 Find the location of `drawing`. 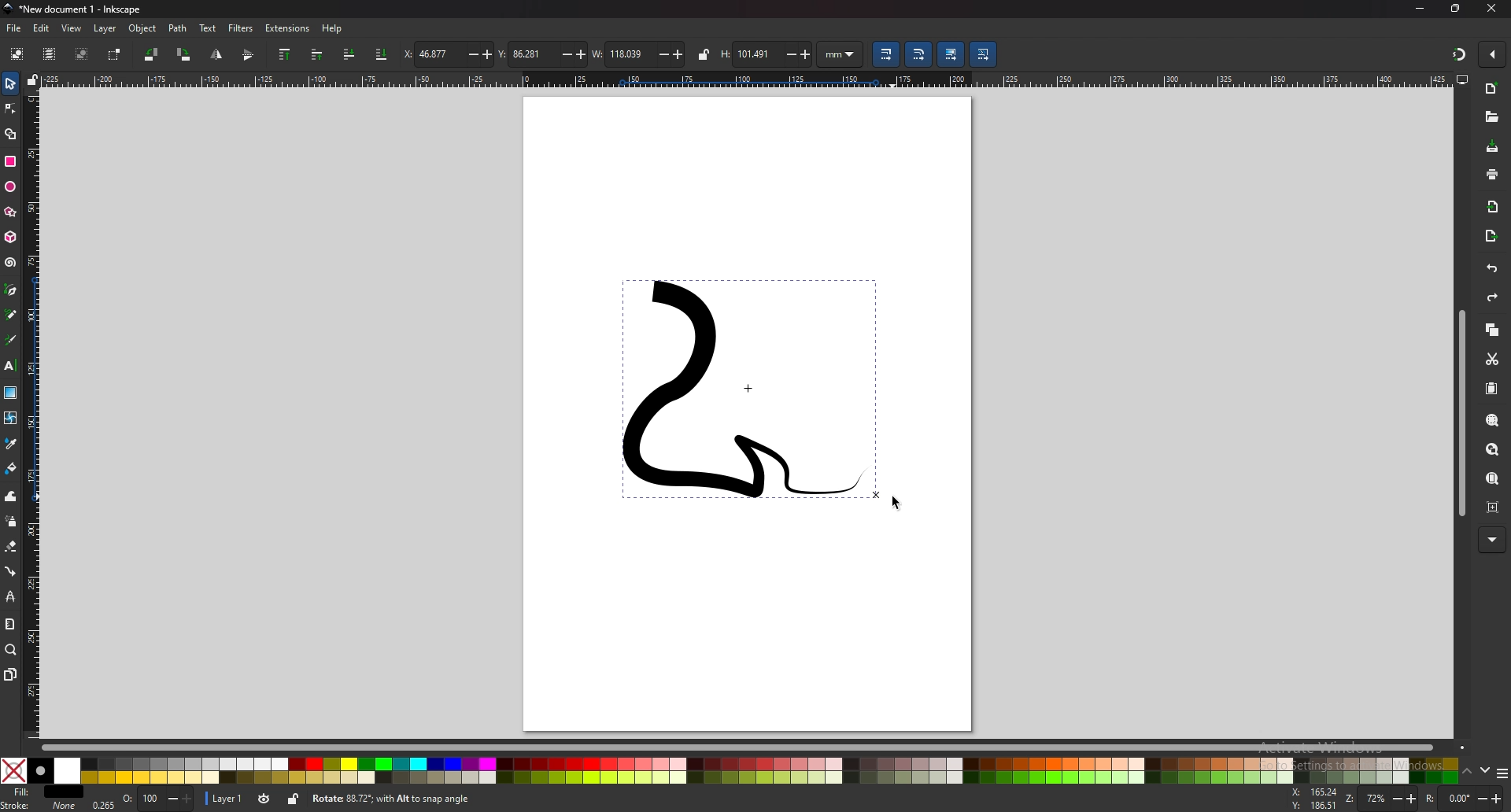

drawing is located at coordinates (752, 393).